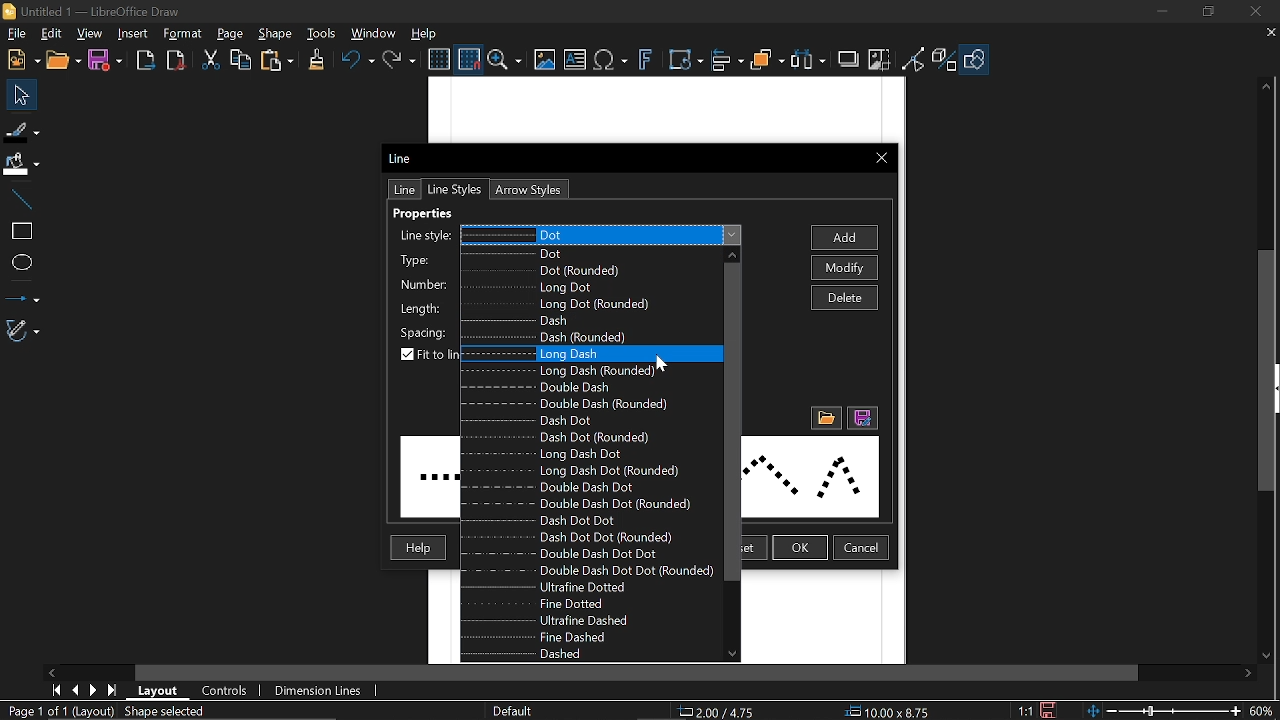 The height and width of the screenshot is (720, 1280). I want to click on Move up, so click(1267, 87).